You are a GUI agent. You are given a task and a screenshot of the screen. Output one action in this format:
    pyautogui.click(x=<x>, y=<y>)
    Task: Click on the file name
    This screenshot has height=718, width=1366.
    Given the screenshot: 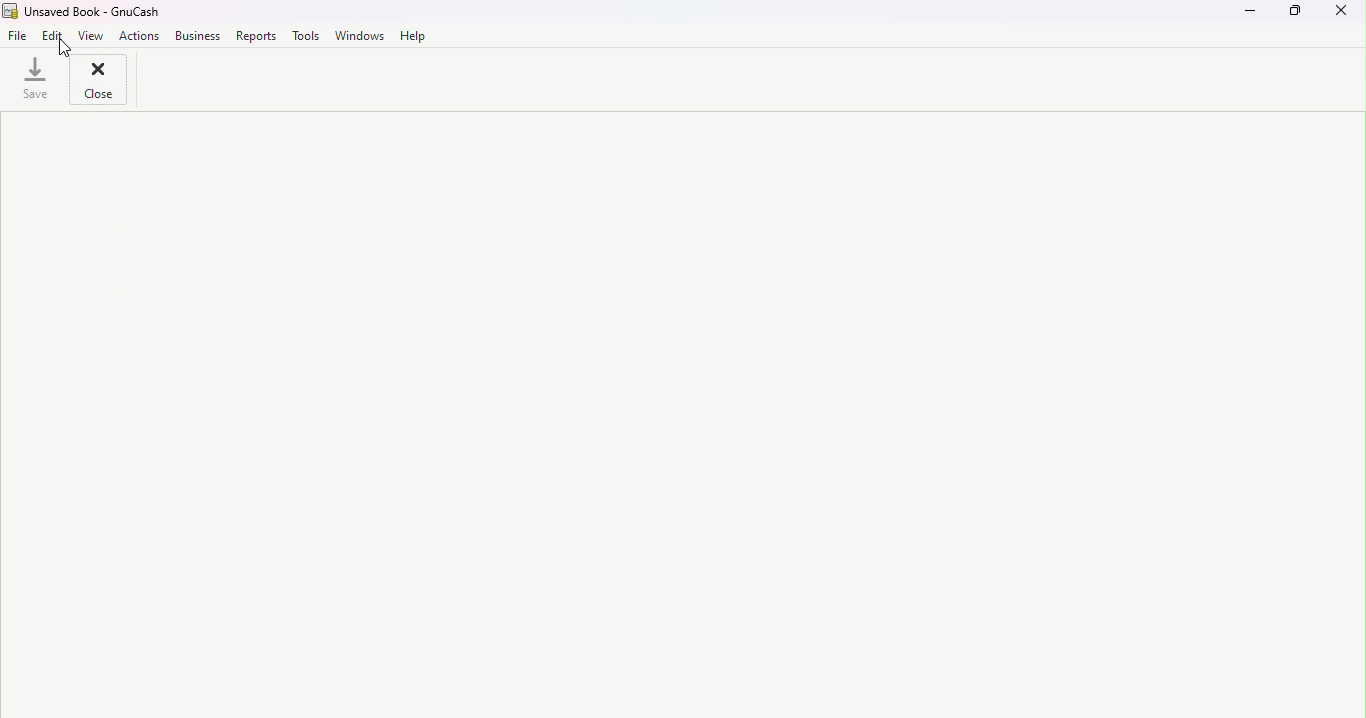 What is the action you would take?
    pyautogui.click(x=82, y=12)
    